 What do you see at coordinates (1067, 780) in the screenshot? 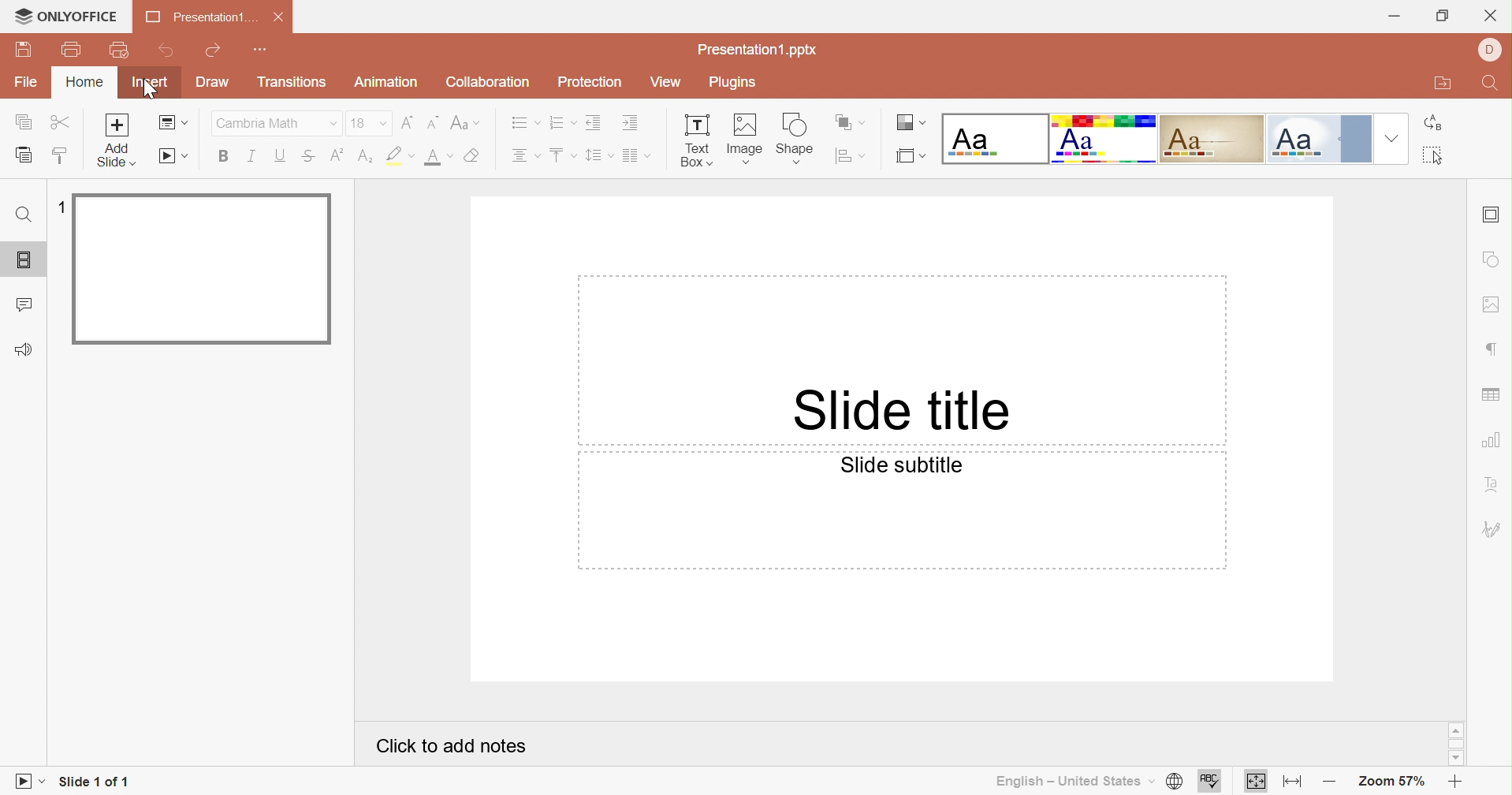
I see `English - United States` at bounding box center [1067, 780].